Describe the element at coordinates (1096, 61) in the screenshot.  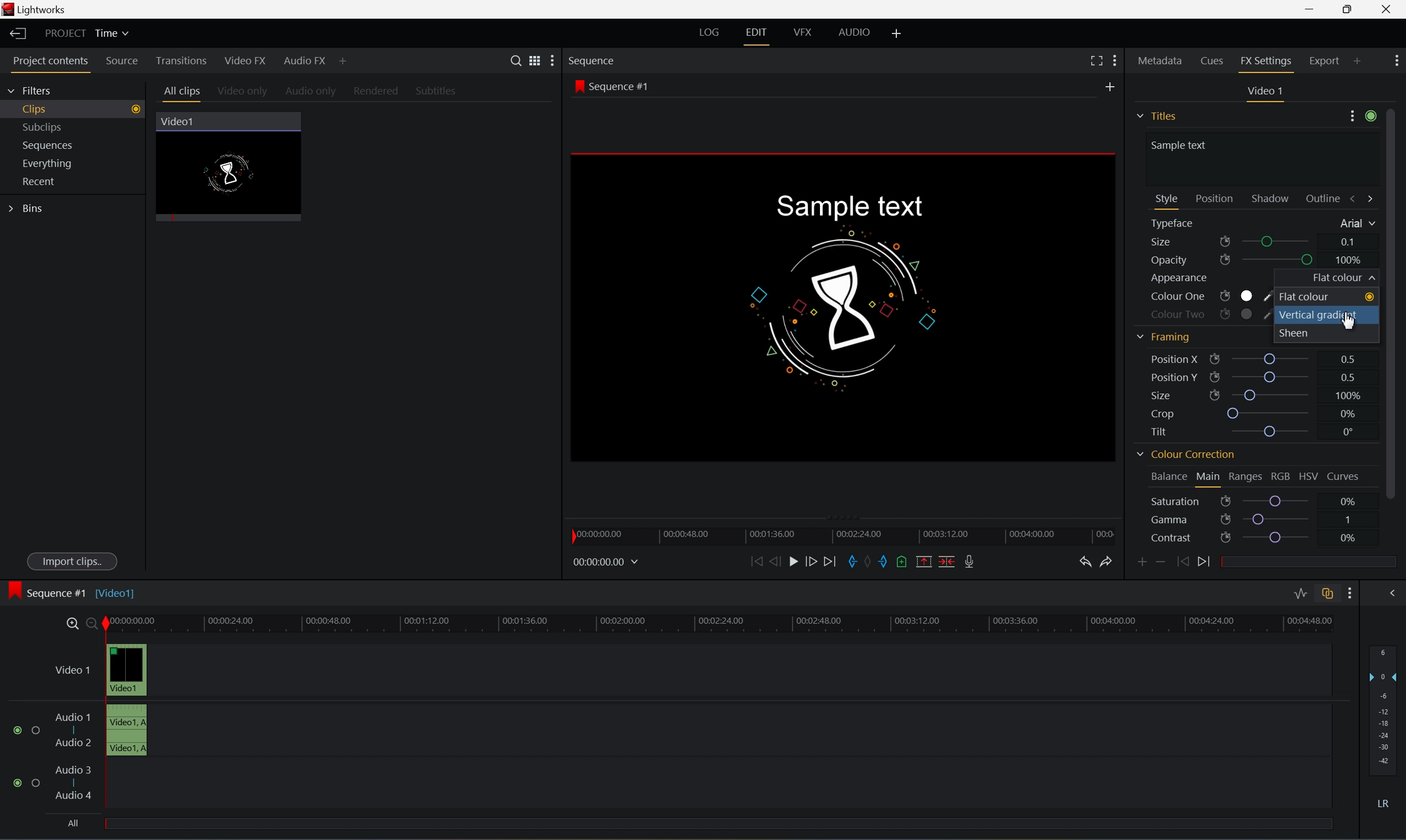
I see `full screen` at that location.